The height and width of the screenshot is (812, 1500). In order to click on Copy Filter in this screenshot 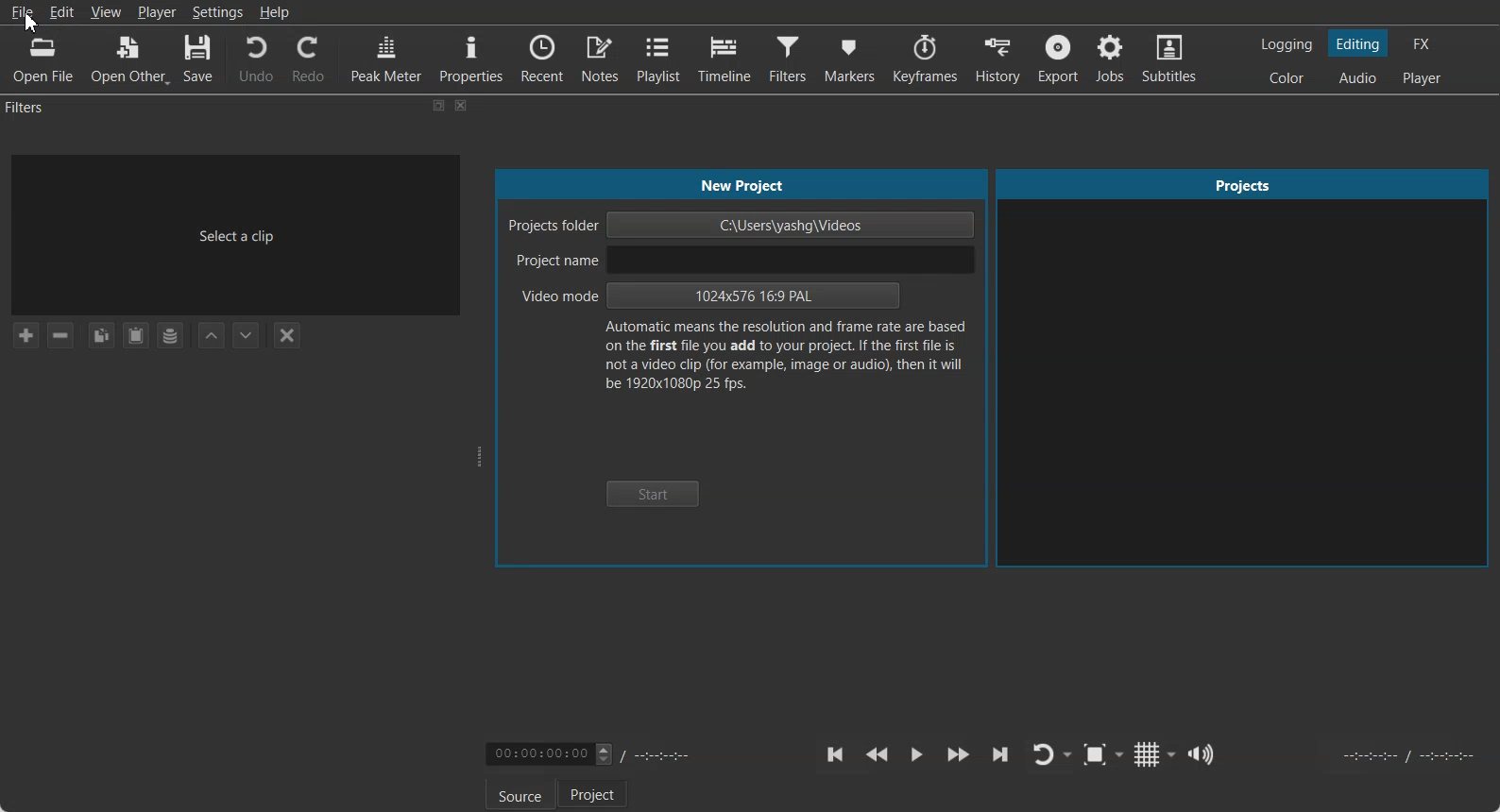, I will do `click(100, 335)`.